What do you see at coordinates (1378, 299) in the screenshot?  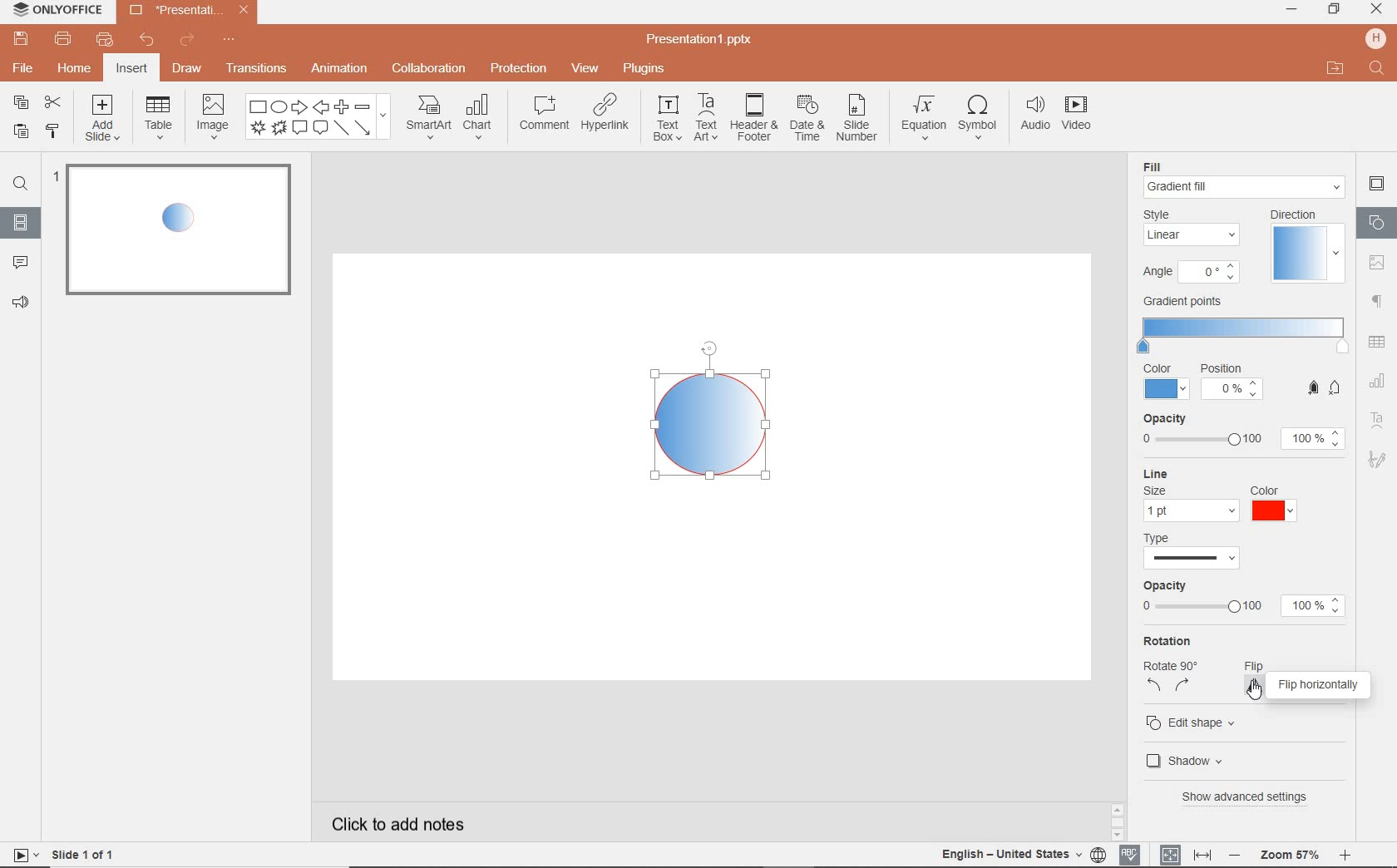 I see `paragraph settings` at bounding box center [1378, 299].